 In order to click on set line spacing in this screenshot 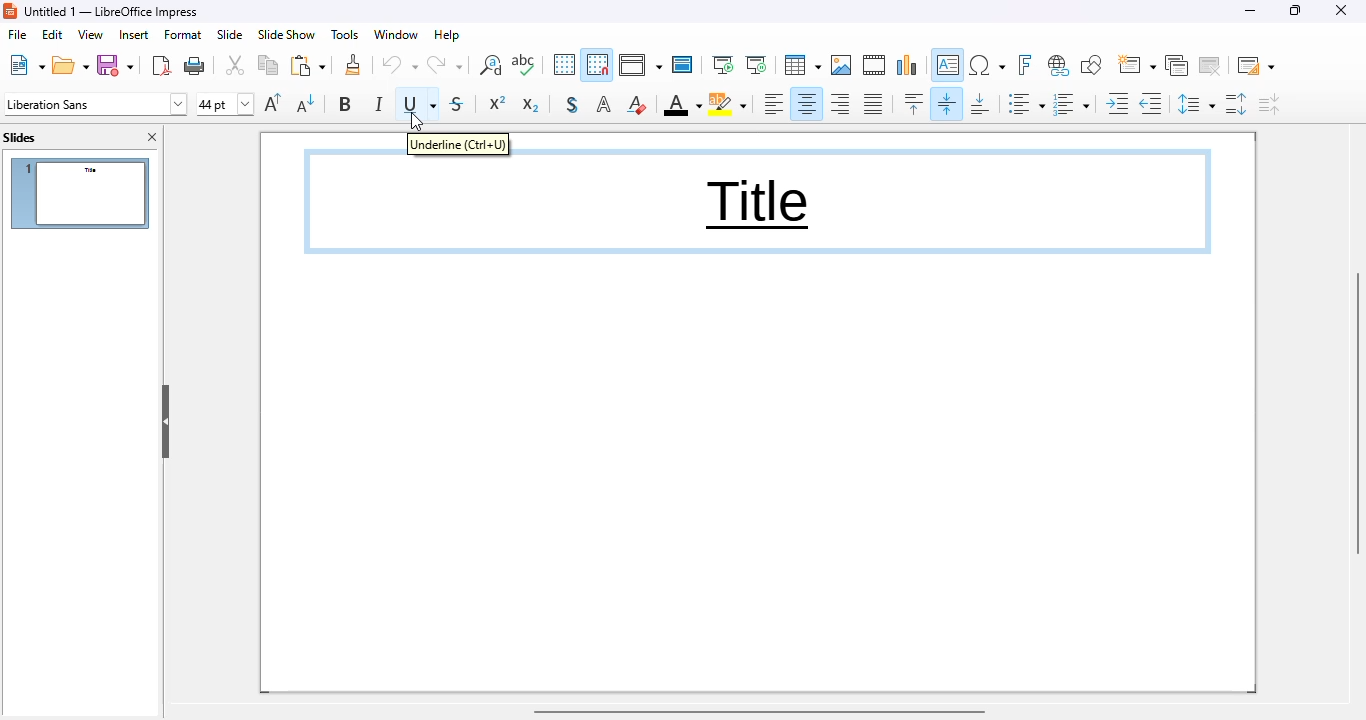, I will do `click(1196, 104)`.